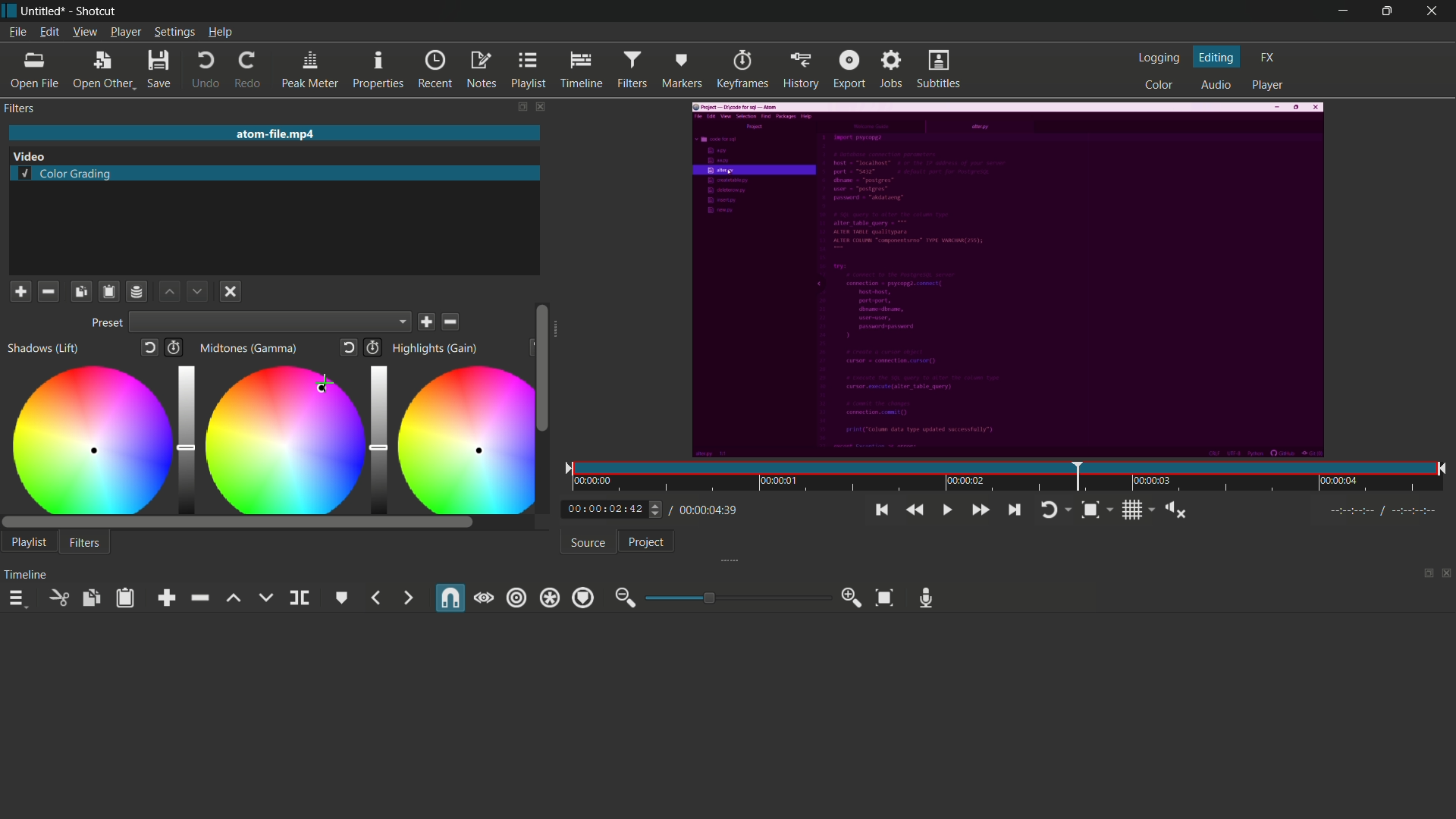 This screenshot has width=1456, height=819. Describe the element at coordinates (158, 72) in the screenshot. I see `save` at that location.